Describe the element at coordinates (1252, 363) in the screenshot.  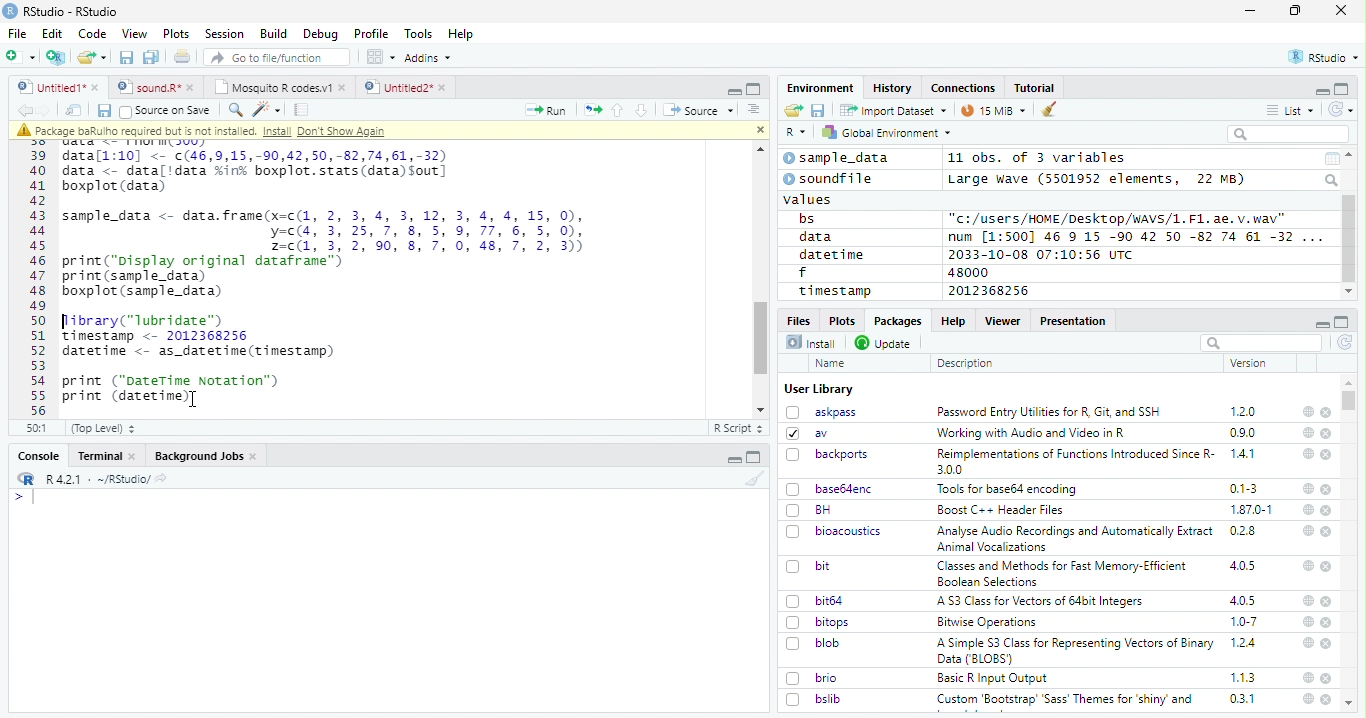
I see `Version` at that location.